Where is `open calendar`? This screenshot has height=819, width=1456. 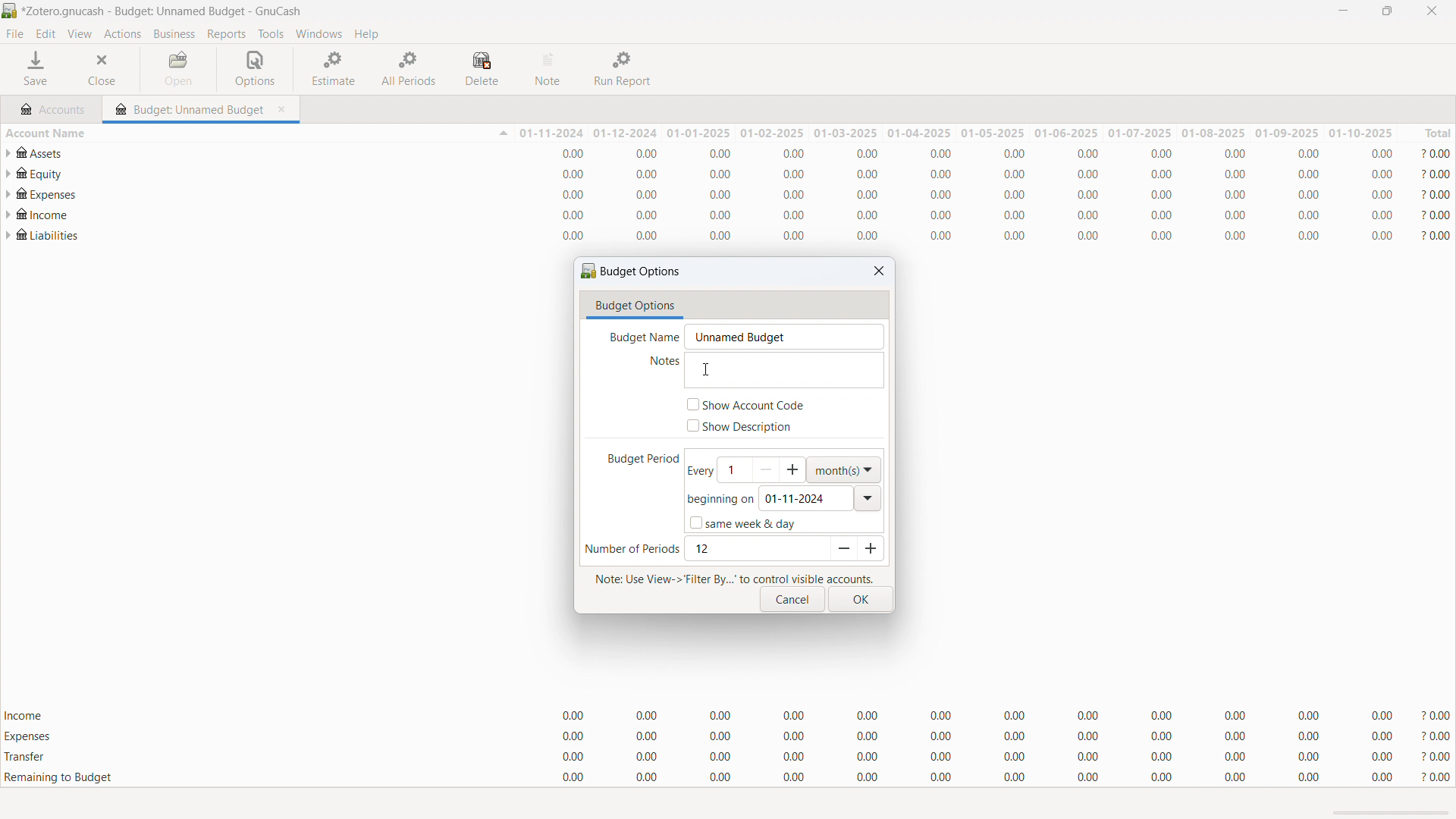 open calendar is located at coordinates (870, 498).